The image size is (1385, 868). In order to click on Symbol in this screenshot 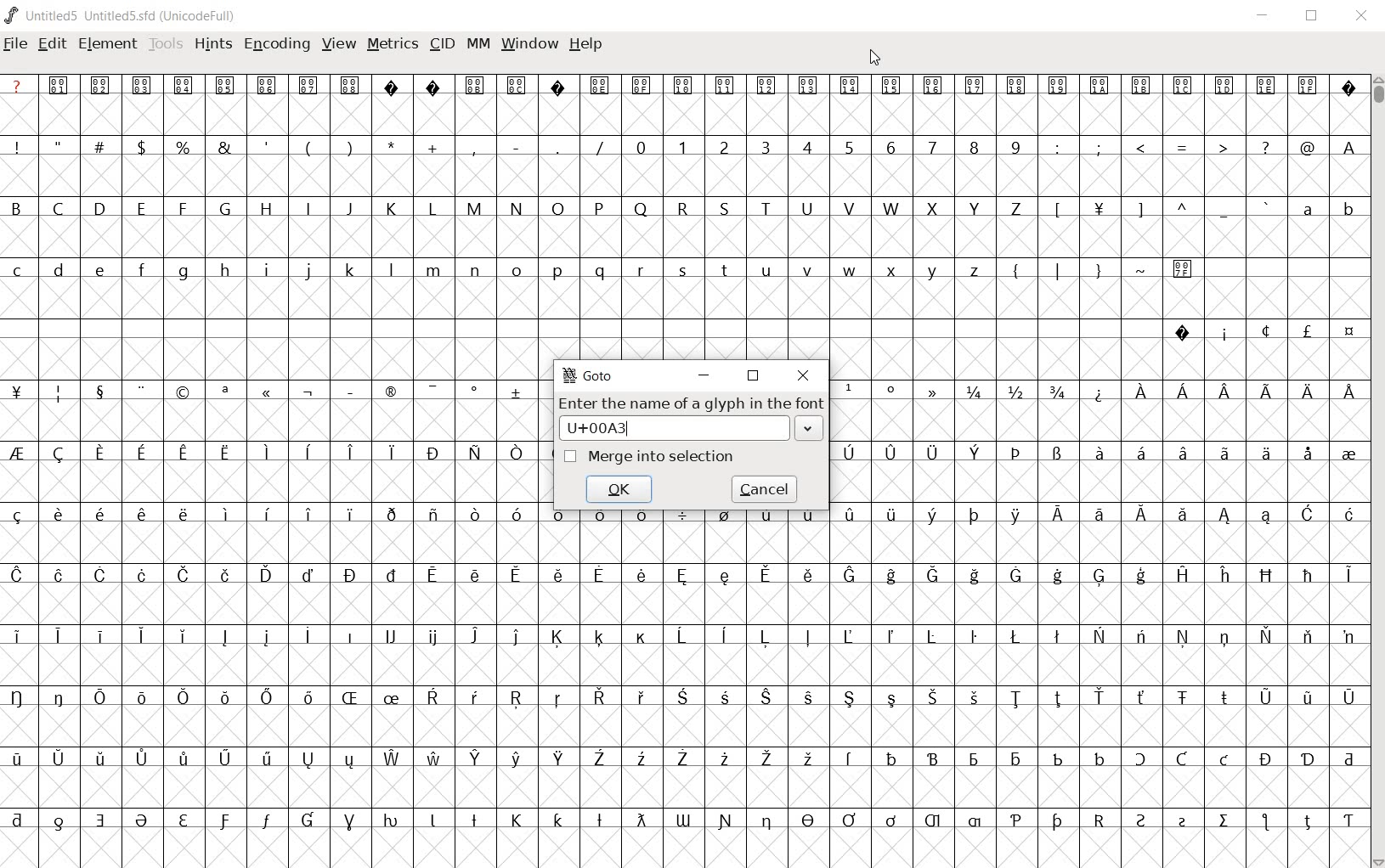, I will do `click(977, 454)`.